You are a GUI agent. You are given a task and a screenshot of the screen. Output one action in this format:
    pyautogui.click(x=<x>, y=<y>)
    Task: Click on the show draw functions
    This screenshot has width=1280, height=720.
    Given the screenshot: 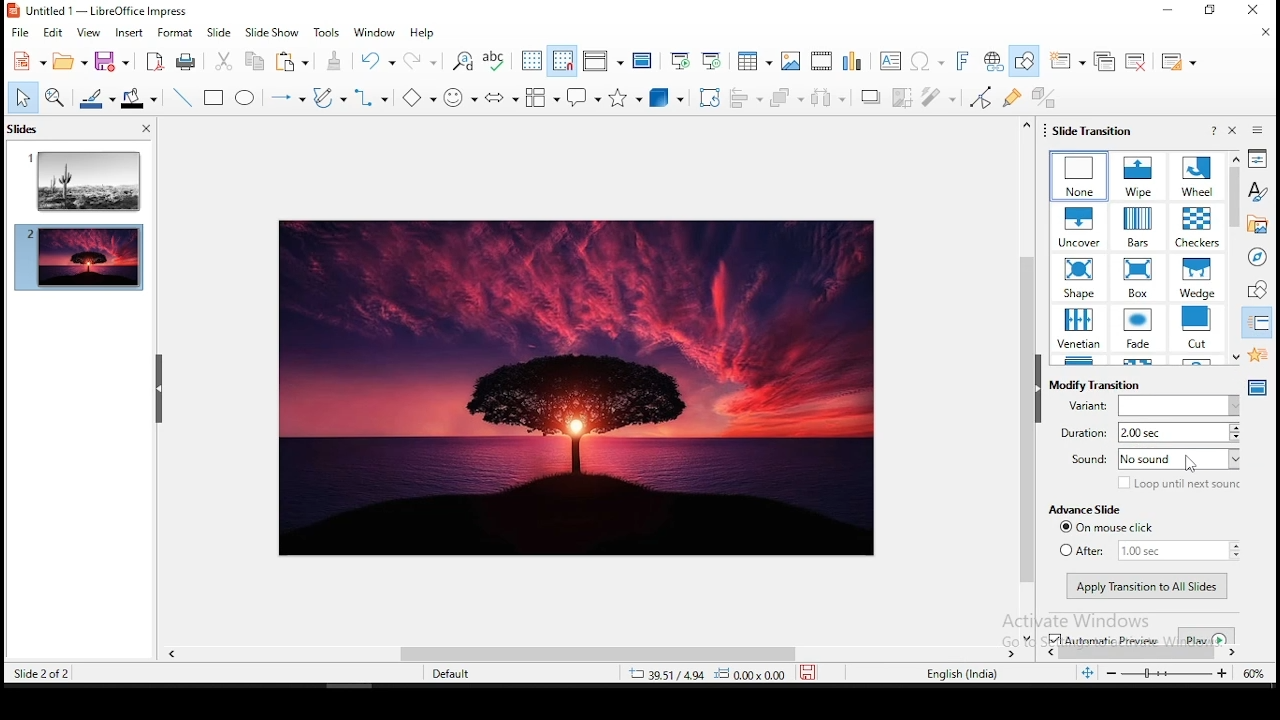 What is the action you would take?
    pyautogui.click(x=1023, y=62)
    